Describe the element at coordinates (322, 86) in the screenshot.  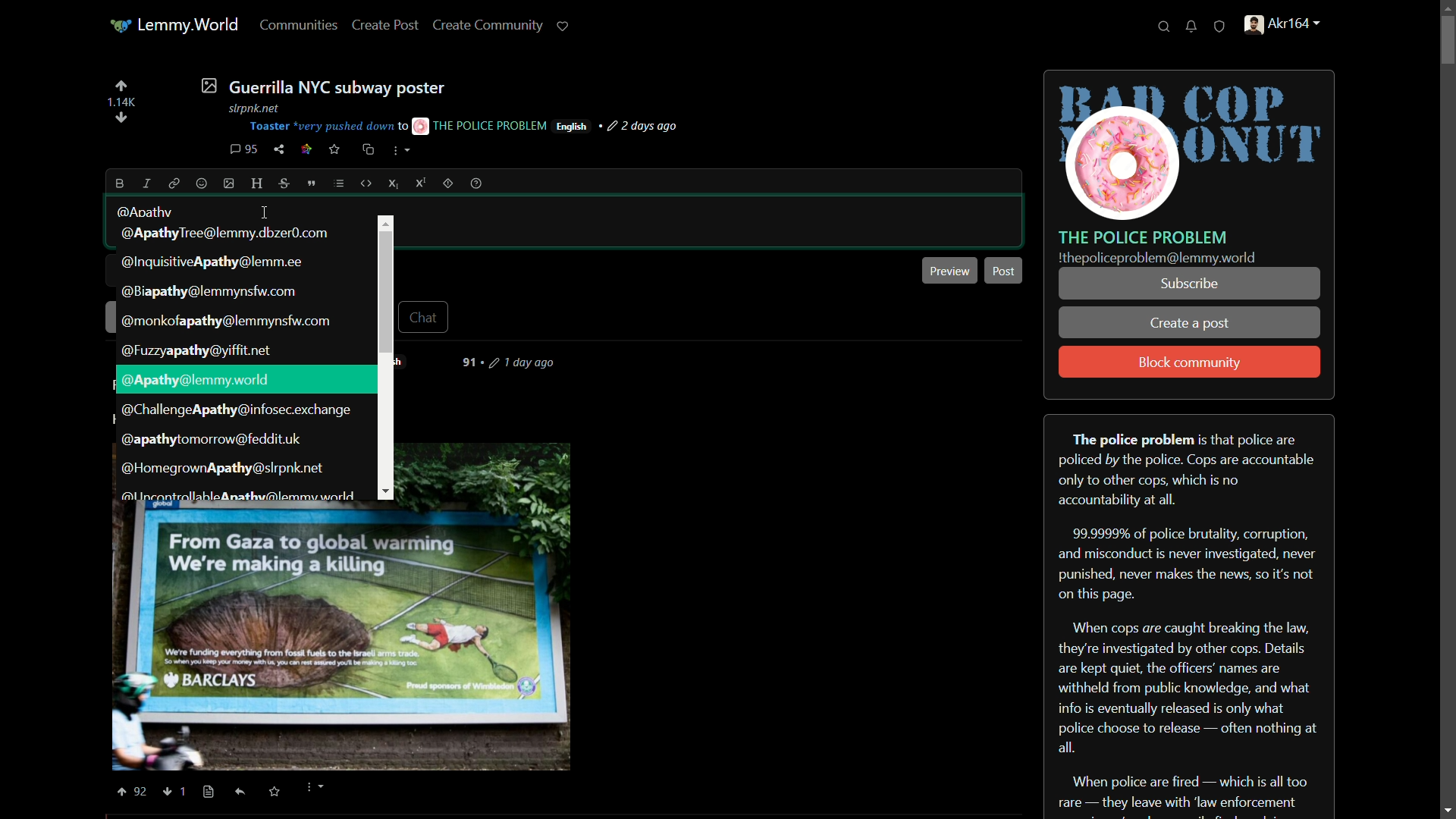
I see `post-title` at that location.